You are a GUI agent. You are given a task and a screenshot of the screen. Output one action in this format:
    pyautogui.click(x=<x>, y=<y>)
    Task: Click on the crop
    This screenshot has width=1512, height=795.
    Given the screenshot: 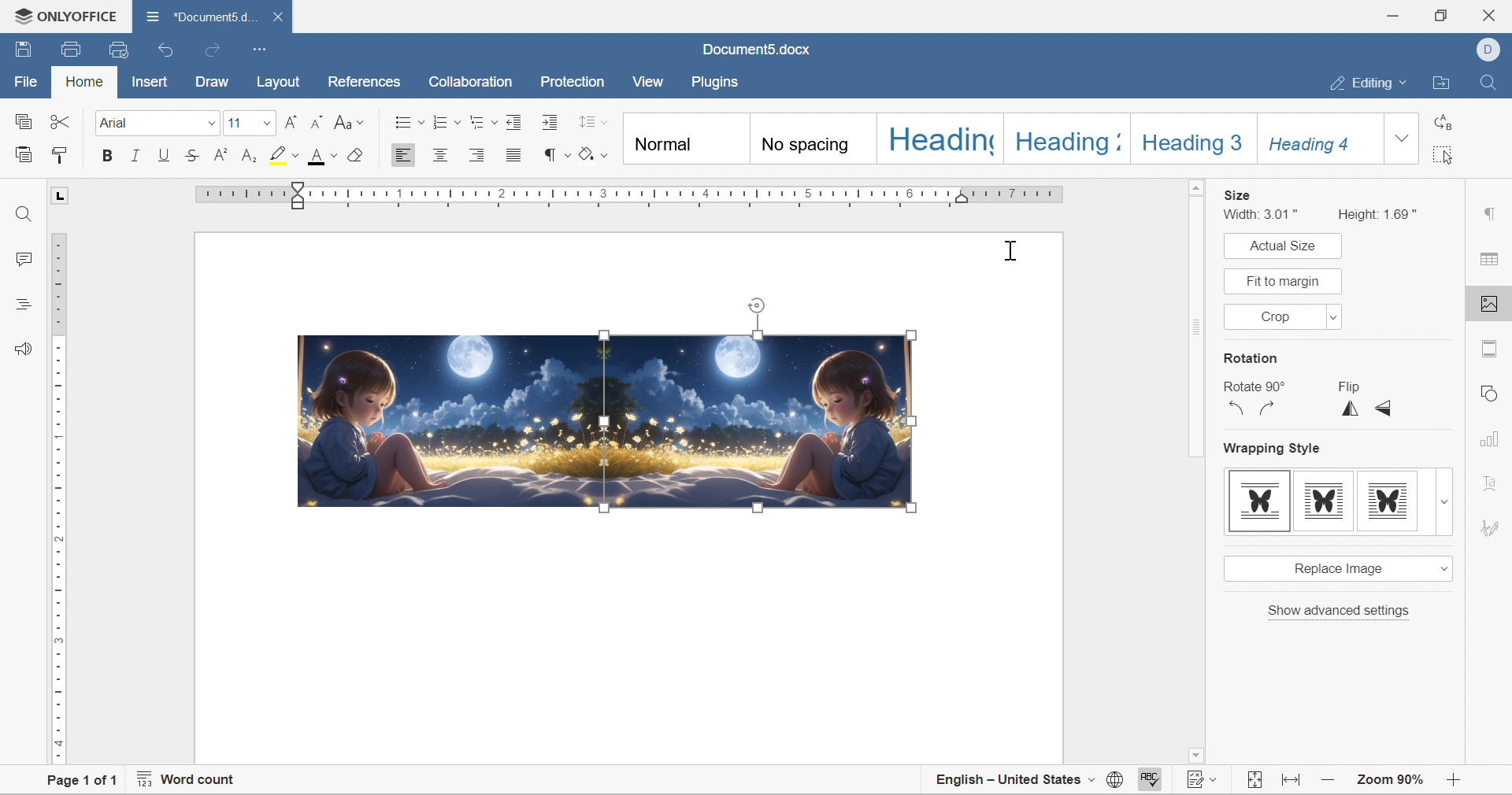 What is the action you would take?
    pyautogui.click(x=1280, y=316)
    